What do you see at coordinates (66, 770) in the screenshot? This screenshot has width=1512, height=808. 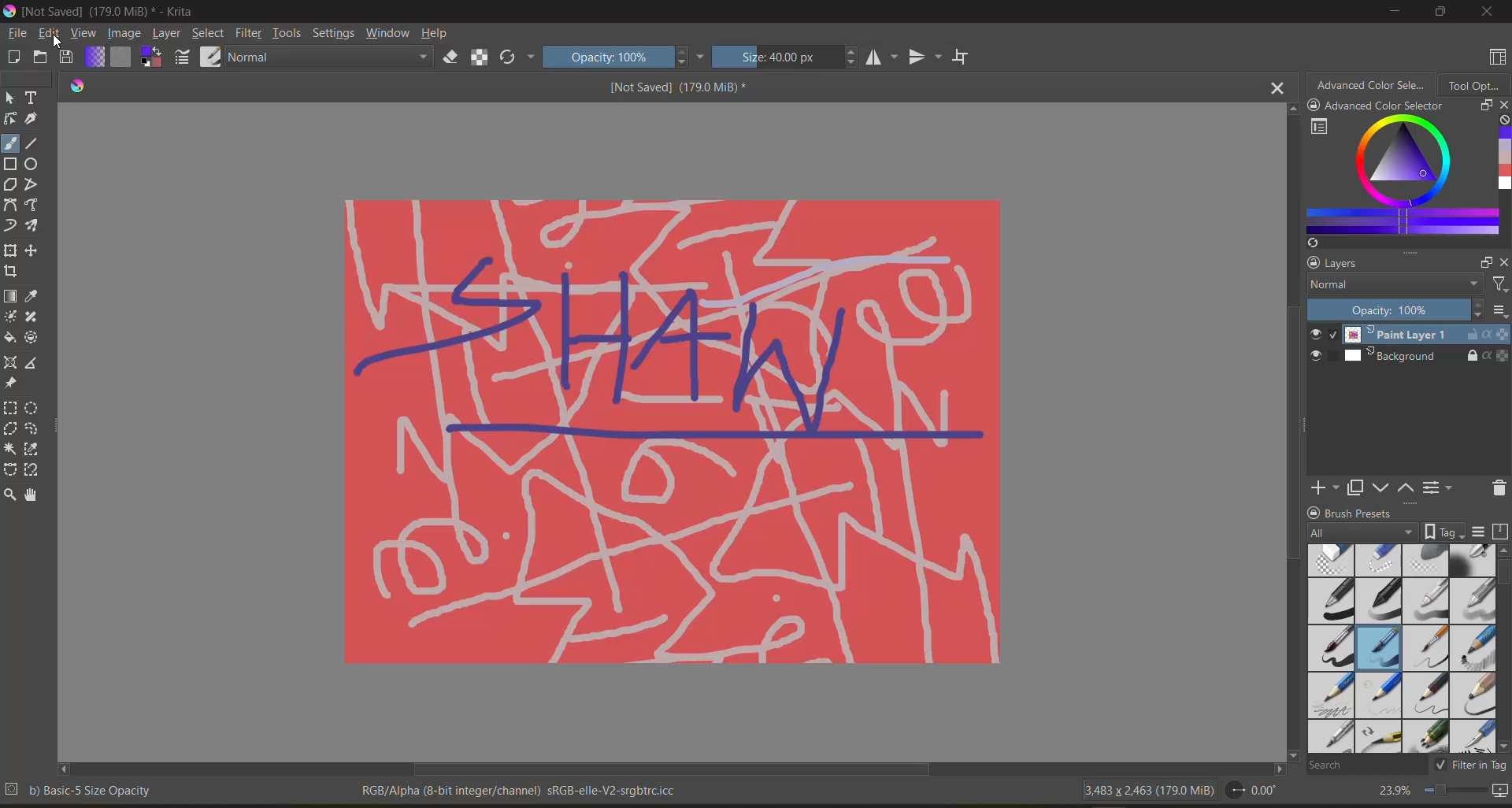 I see `scroll left` at bounding box center [66, 770].